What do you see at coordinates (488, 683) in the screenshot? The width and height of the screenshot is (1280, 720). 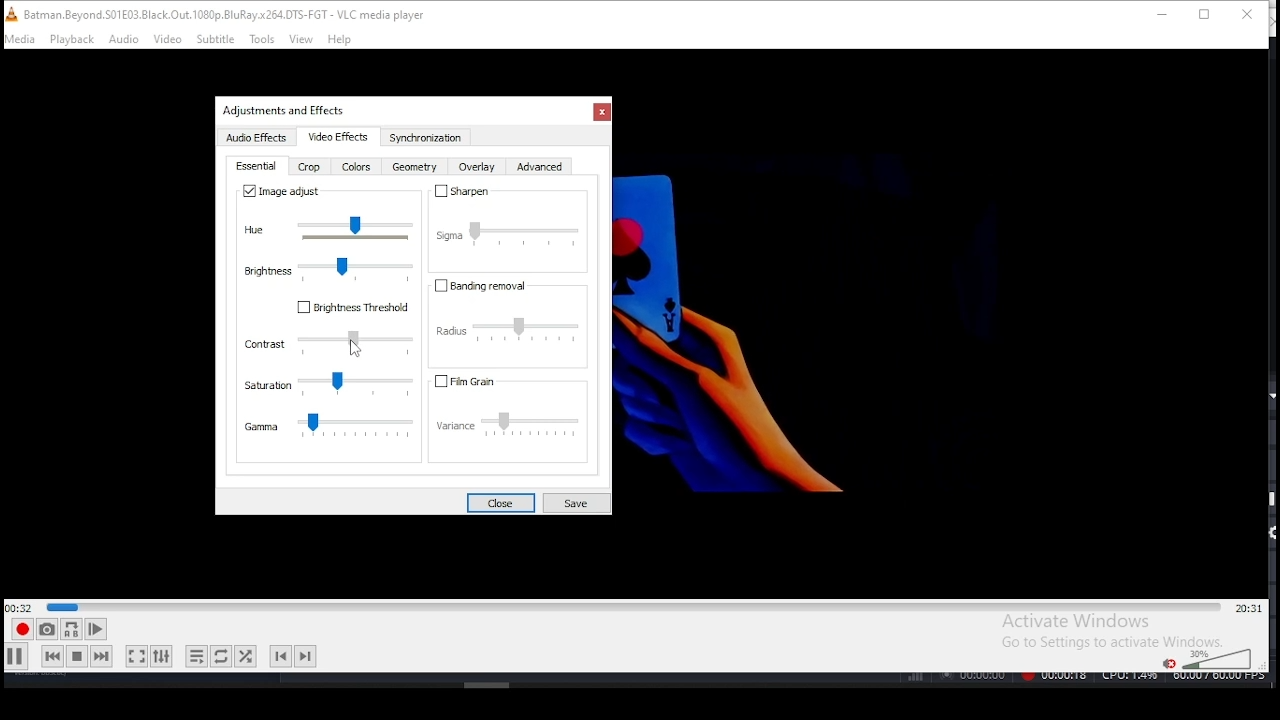 I see `` at bounding box center [488, 683].